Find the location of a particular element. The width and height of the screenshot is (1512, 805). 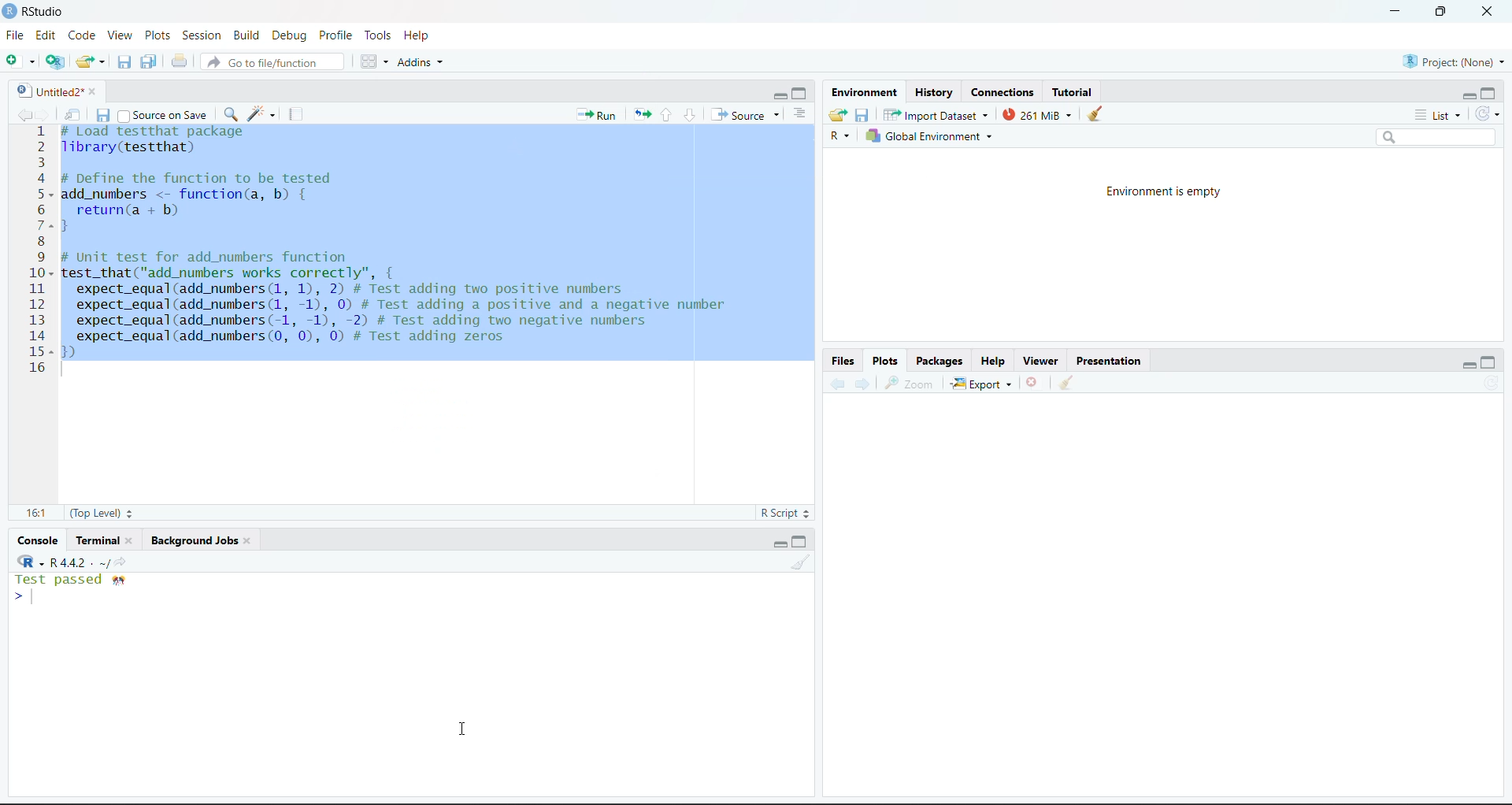

Import Dataset is located at coordinates (936, 115).